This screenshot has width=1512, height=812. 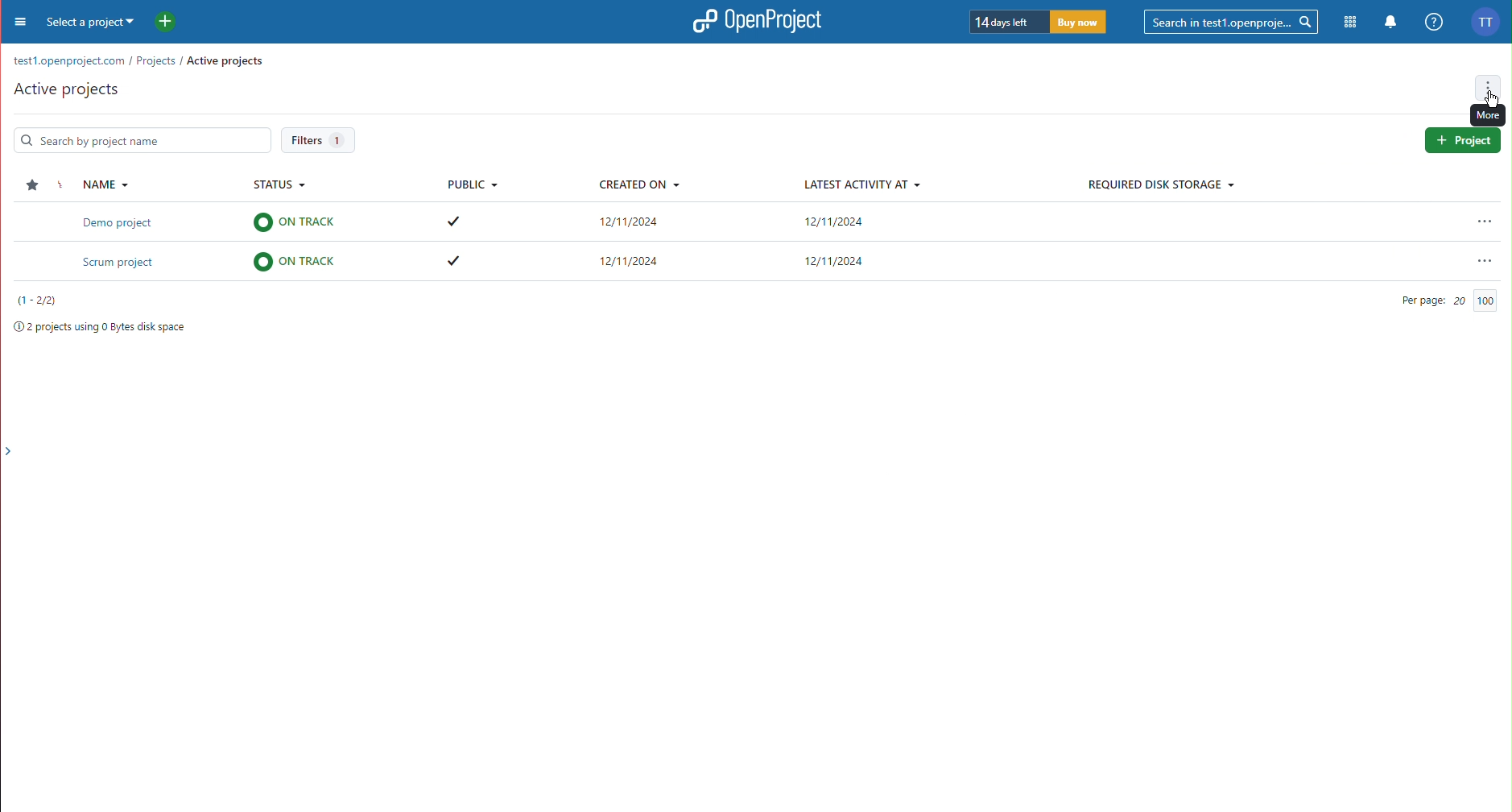 What do you see at coordinates (283, 188) in the screenshot?
I see `Status` at bounding box center [283, 188].